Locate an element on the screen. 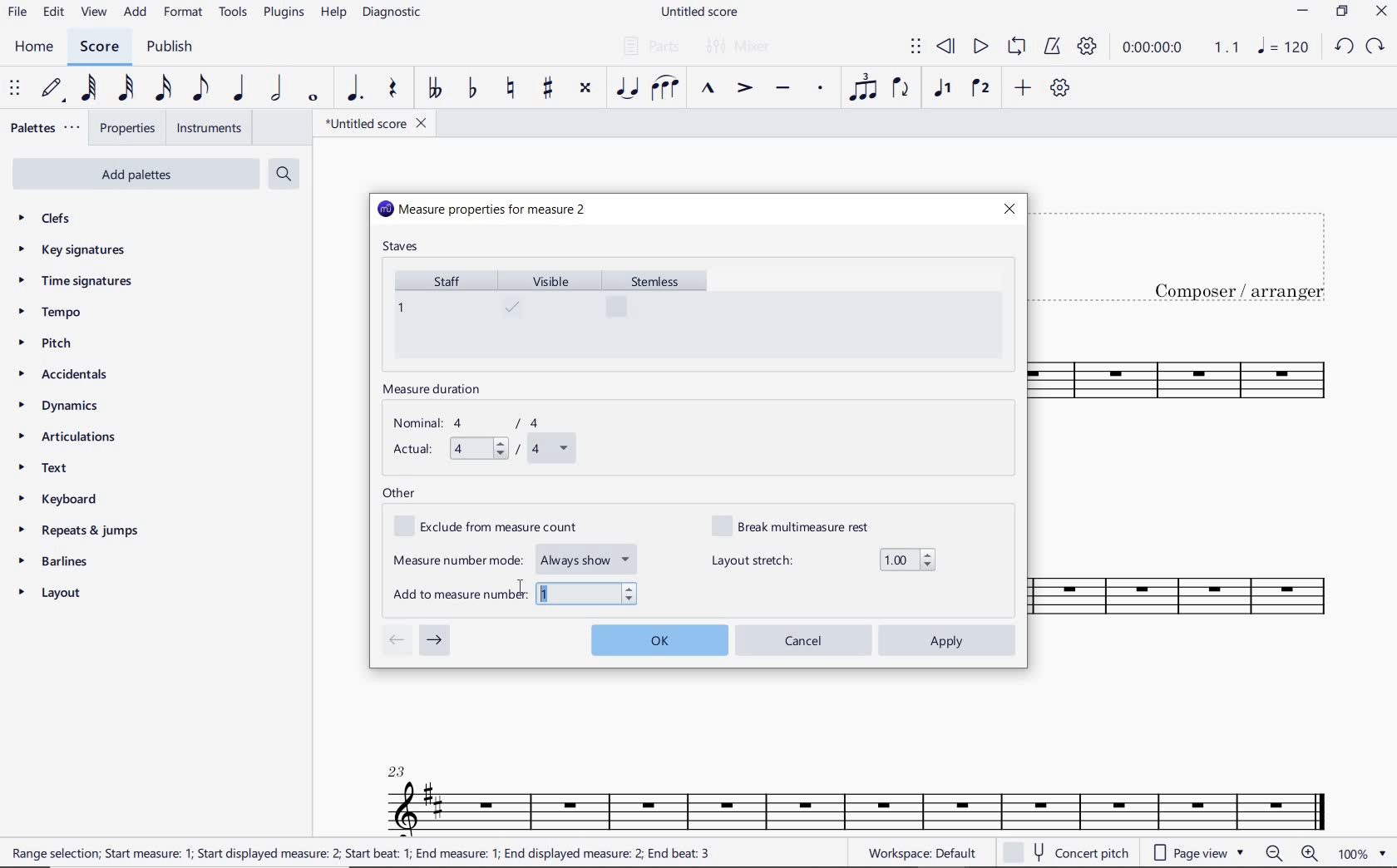  TEMPO is located at coordinates (49, 313).